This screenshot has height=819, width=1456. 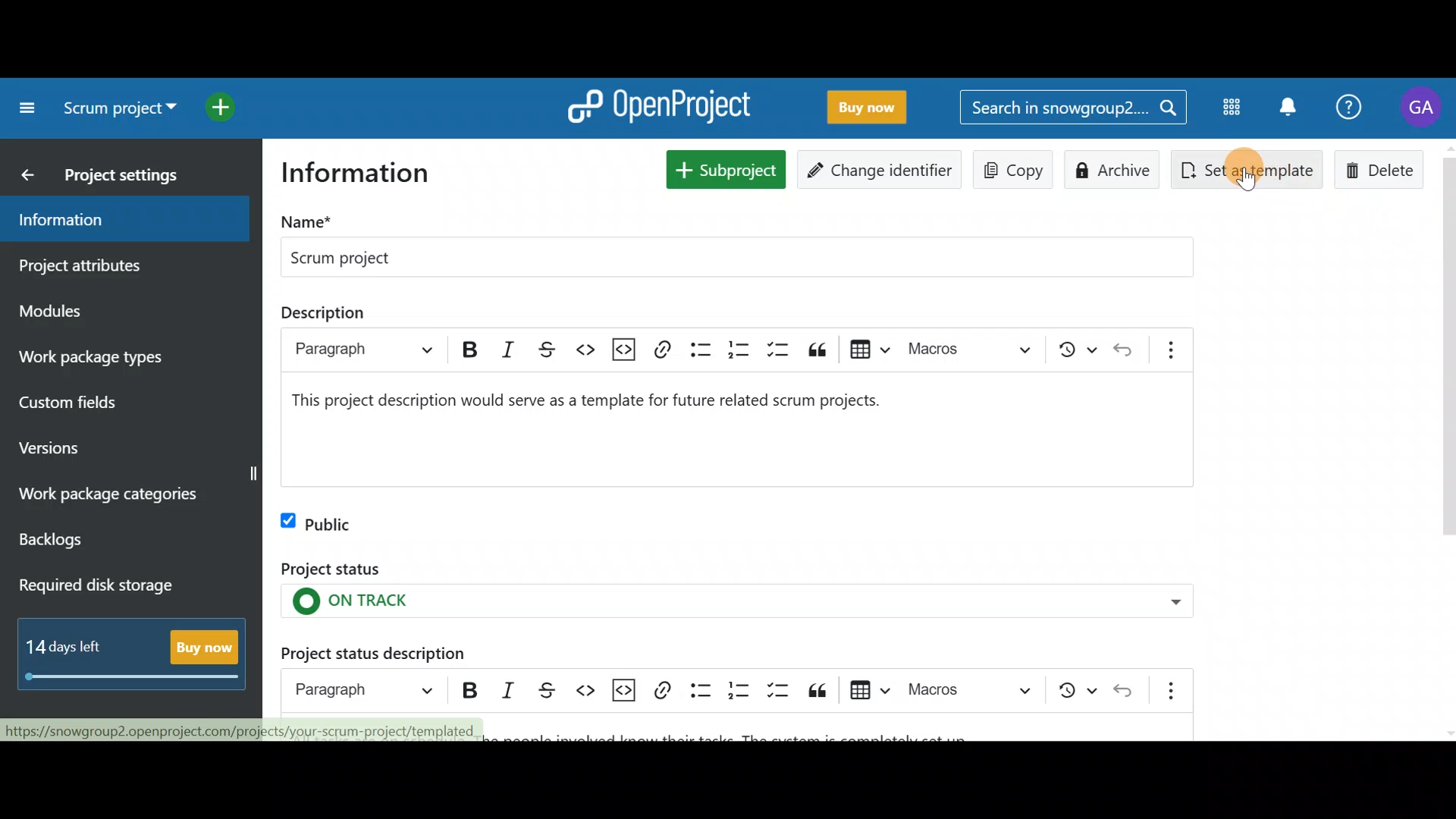 I want to click on insert code snippet, so click(x=625, y=349).